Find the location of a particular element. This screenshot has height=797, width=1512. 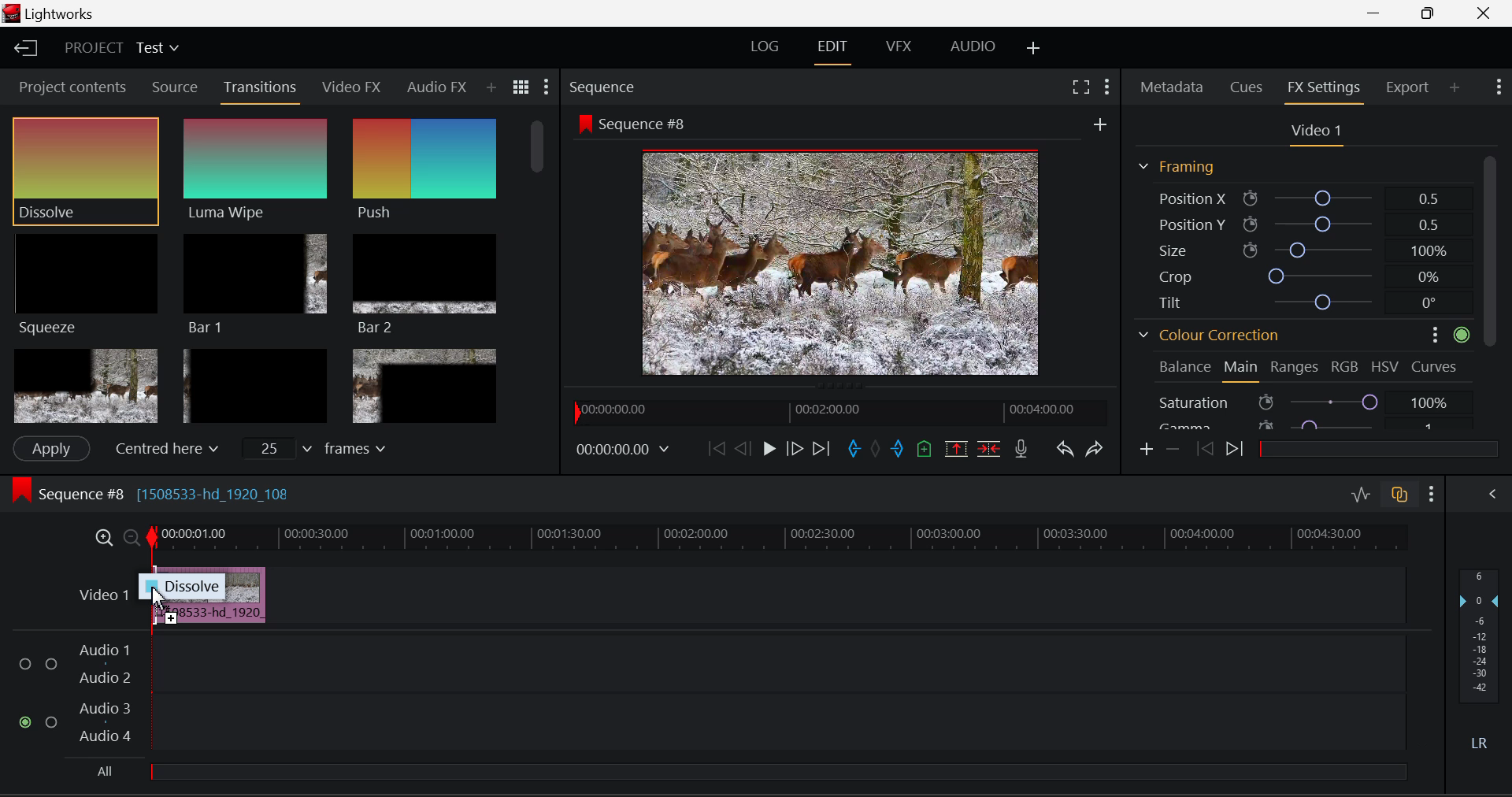

Position Y is located at coordinates (1298, 224).